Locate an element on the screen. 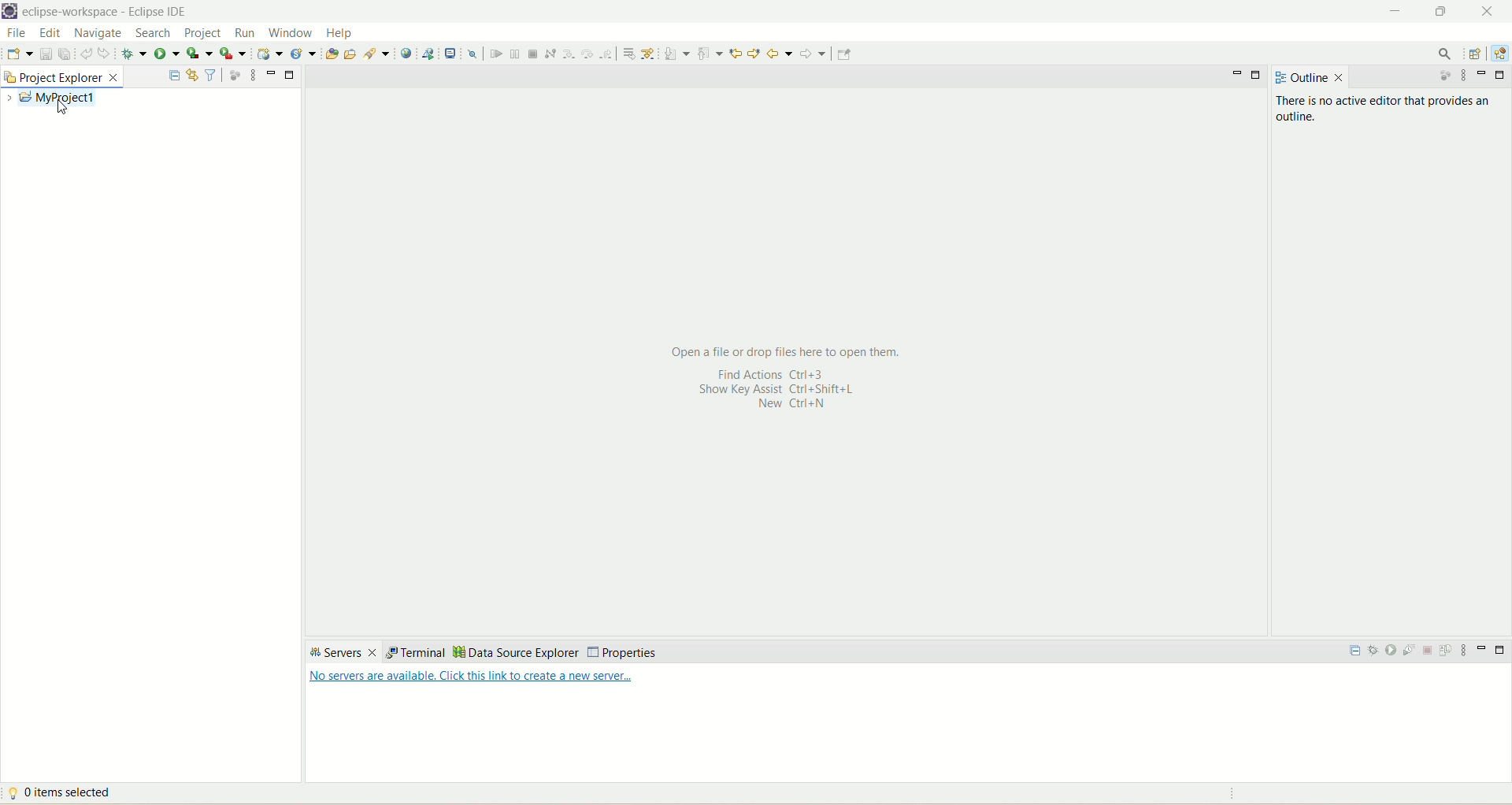 Image resolution: width=1512 pixels, height=805 pixels. link with editor is located at coordinates (192, 73).